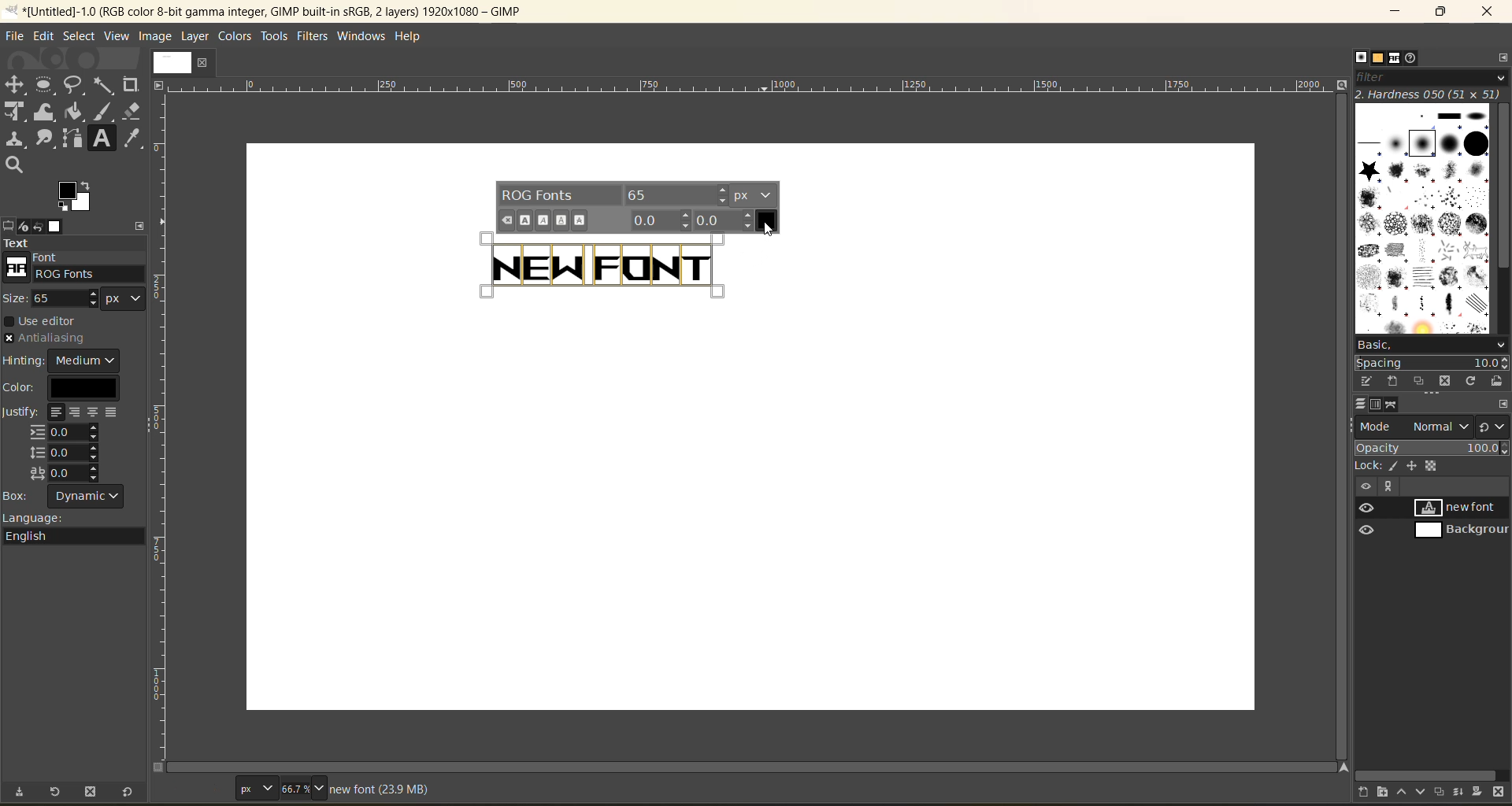 Image resolution: width=1512 pixels, height=806 pixels. I want to click on images, so click(57, 226).